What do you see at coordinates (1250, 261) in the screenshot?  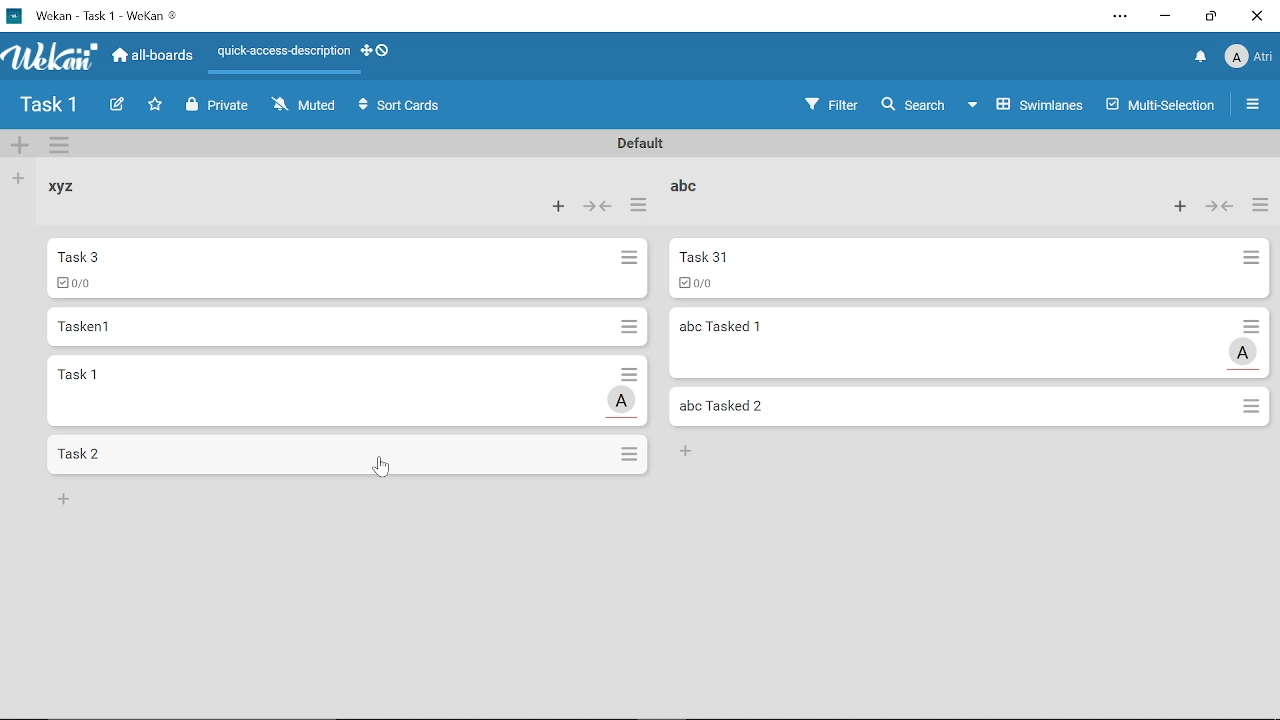 I see `Card actions` at bounding box center [1250, 261].